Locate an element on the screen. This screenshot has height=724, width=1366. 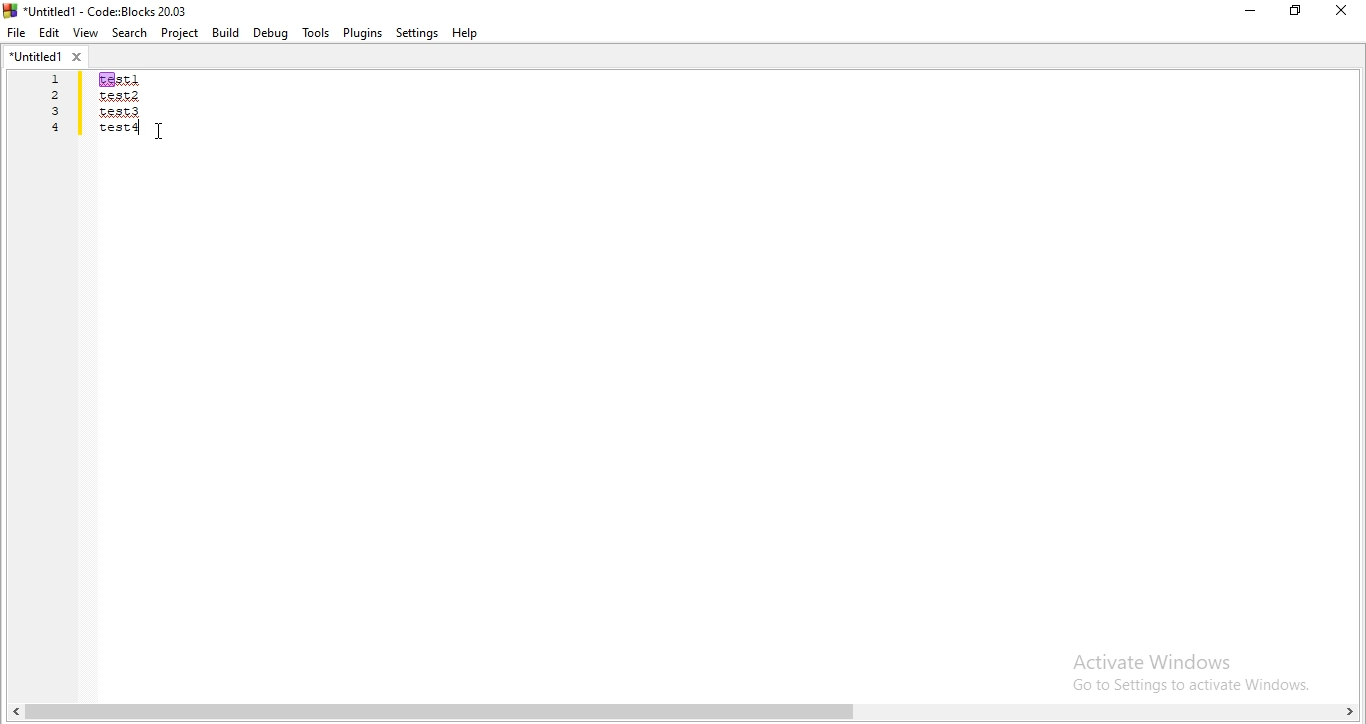
Search  is located at coordinates (131, 34).